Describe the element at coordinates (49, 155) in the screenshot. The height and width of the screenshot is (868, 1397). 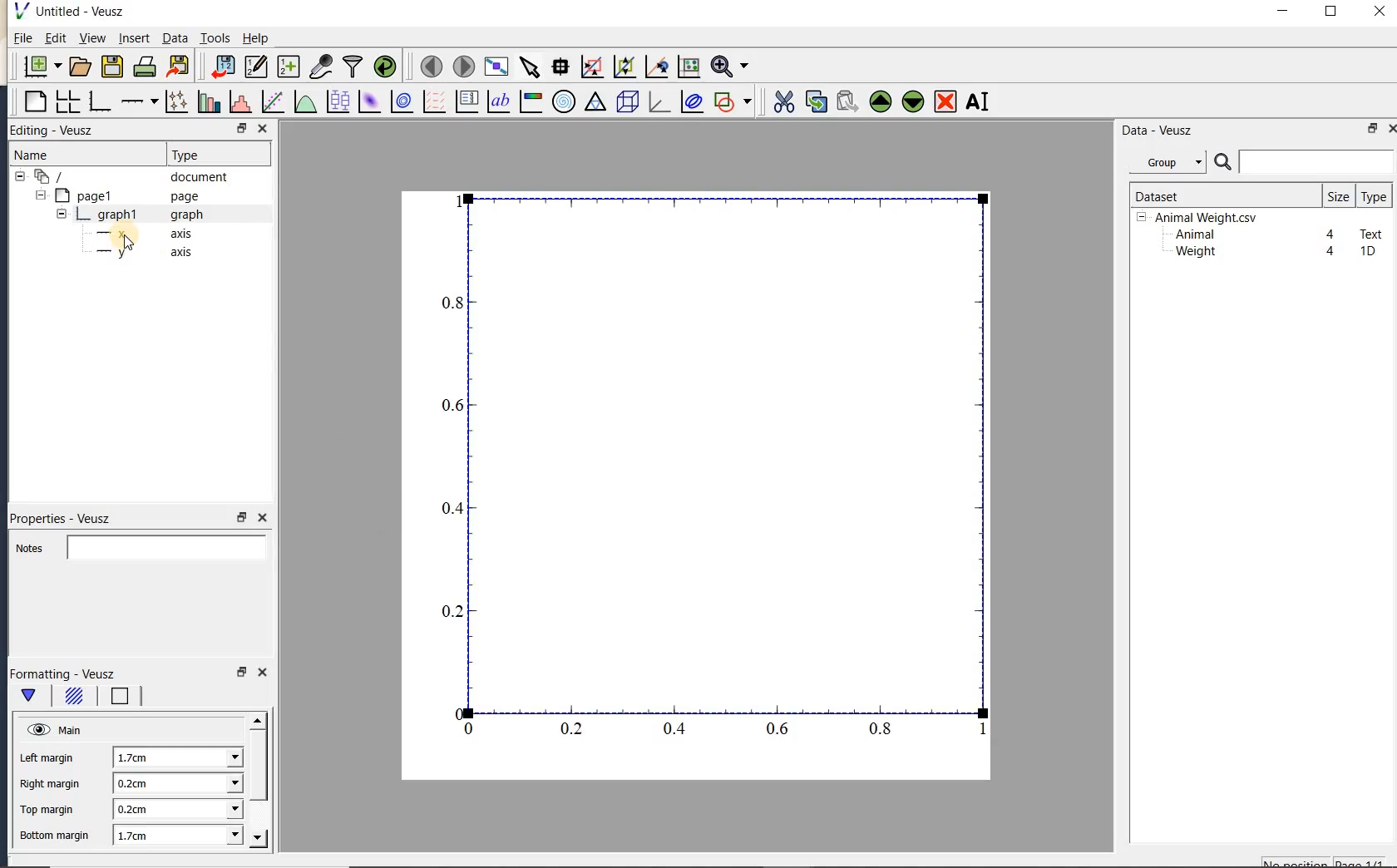
I see `Name` at that location.